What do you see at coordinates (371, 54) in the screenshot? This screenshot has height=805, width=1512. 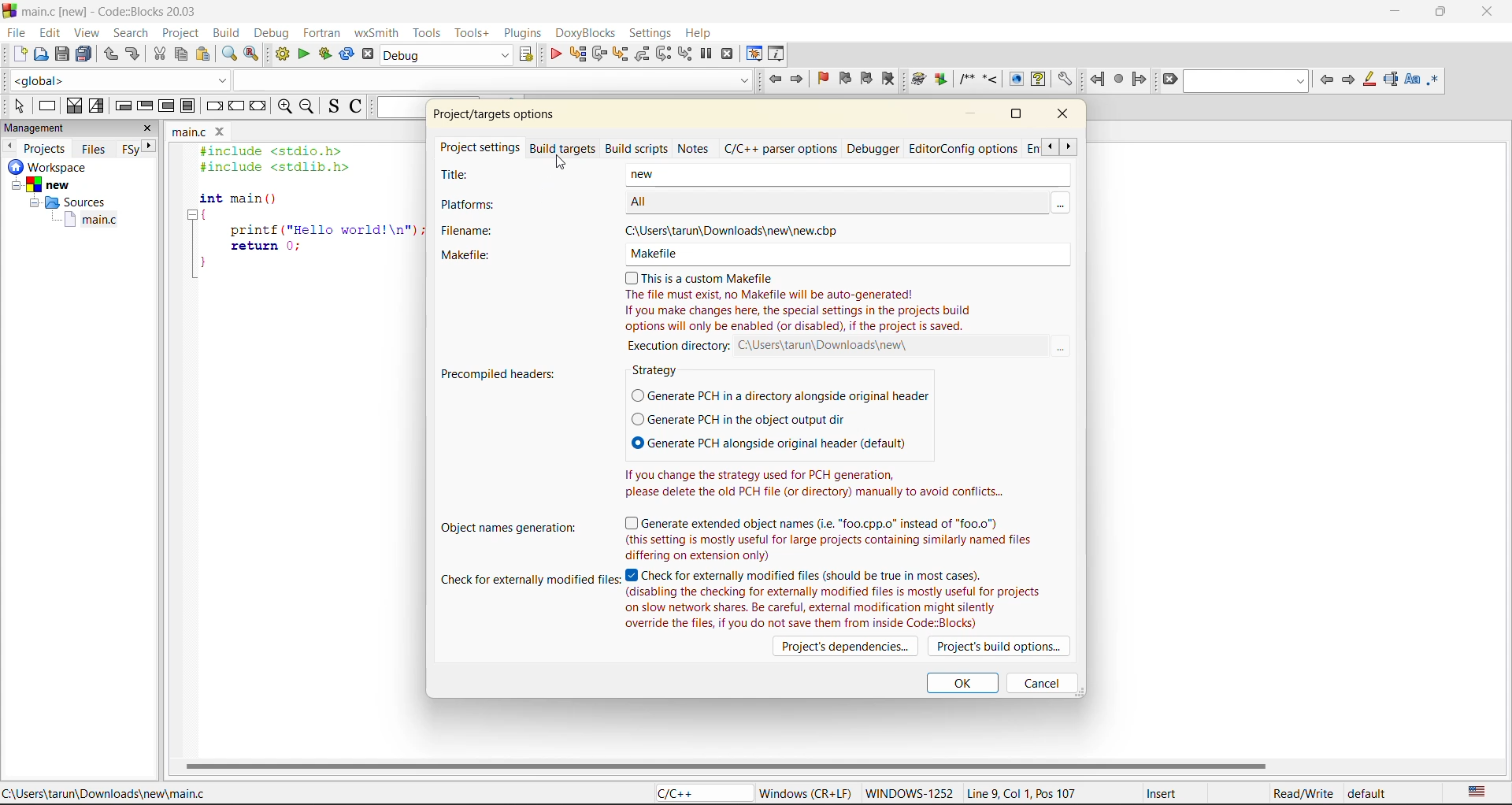 I see `abort` at bounding box center [371, 54].